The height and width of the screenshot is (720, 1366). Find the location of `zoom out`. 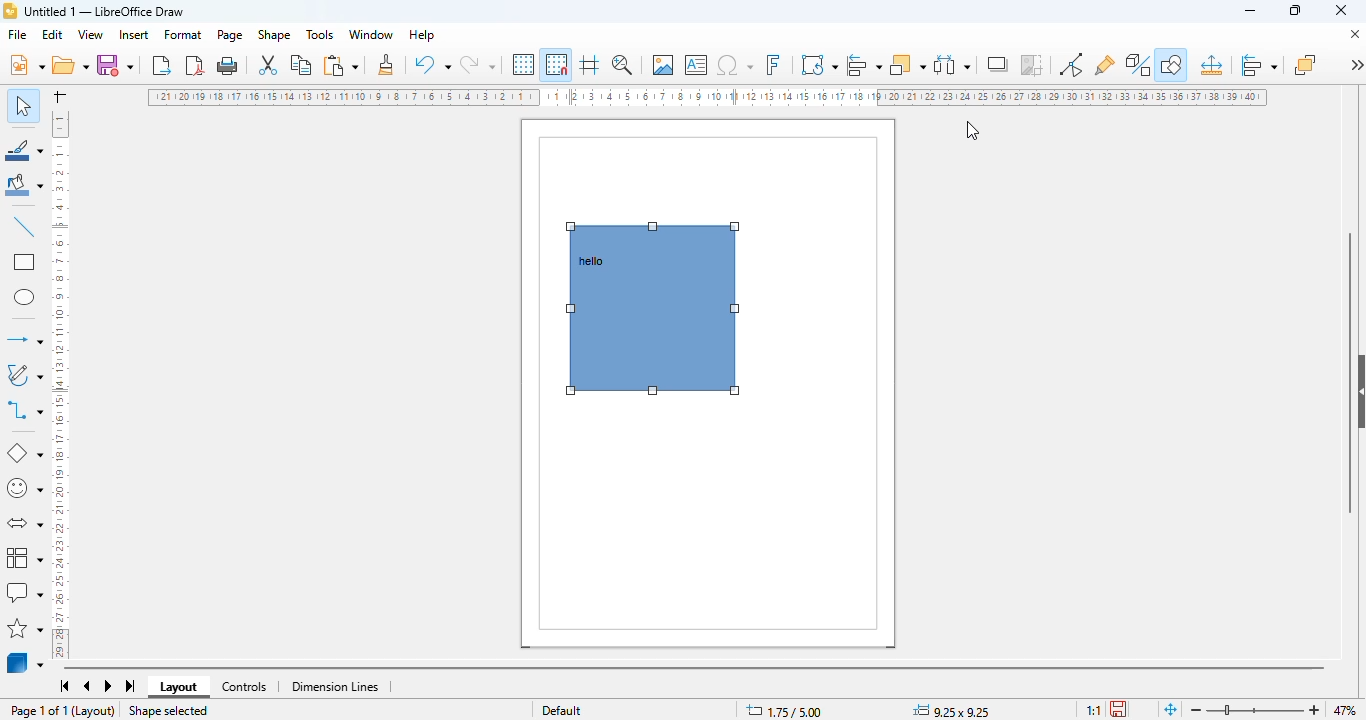

zoom out is located at coordinates (1196, 711).